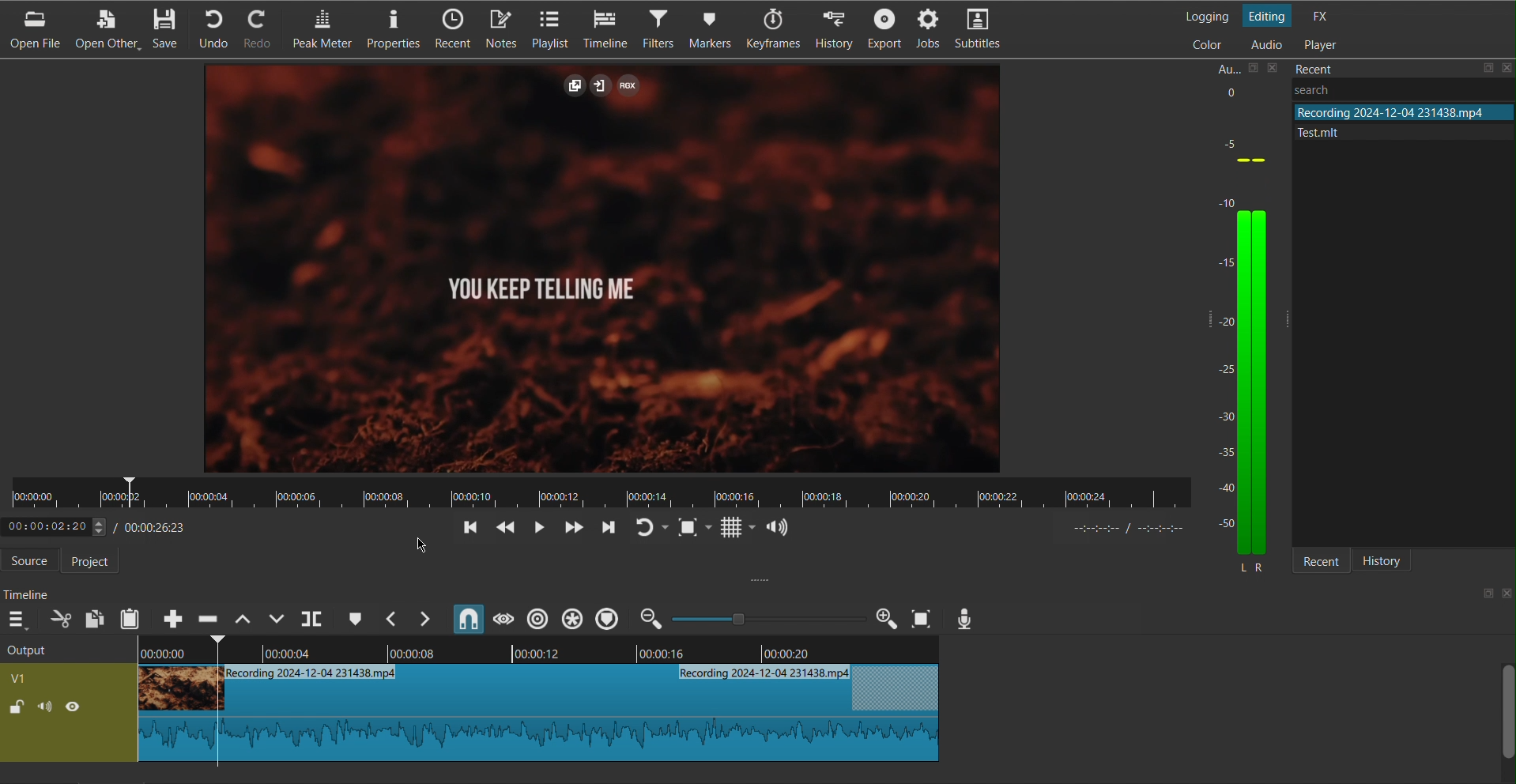 The width and height of the screenshot is (1516, 784). I want to click on Keyframes, so click(771, 32).